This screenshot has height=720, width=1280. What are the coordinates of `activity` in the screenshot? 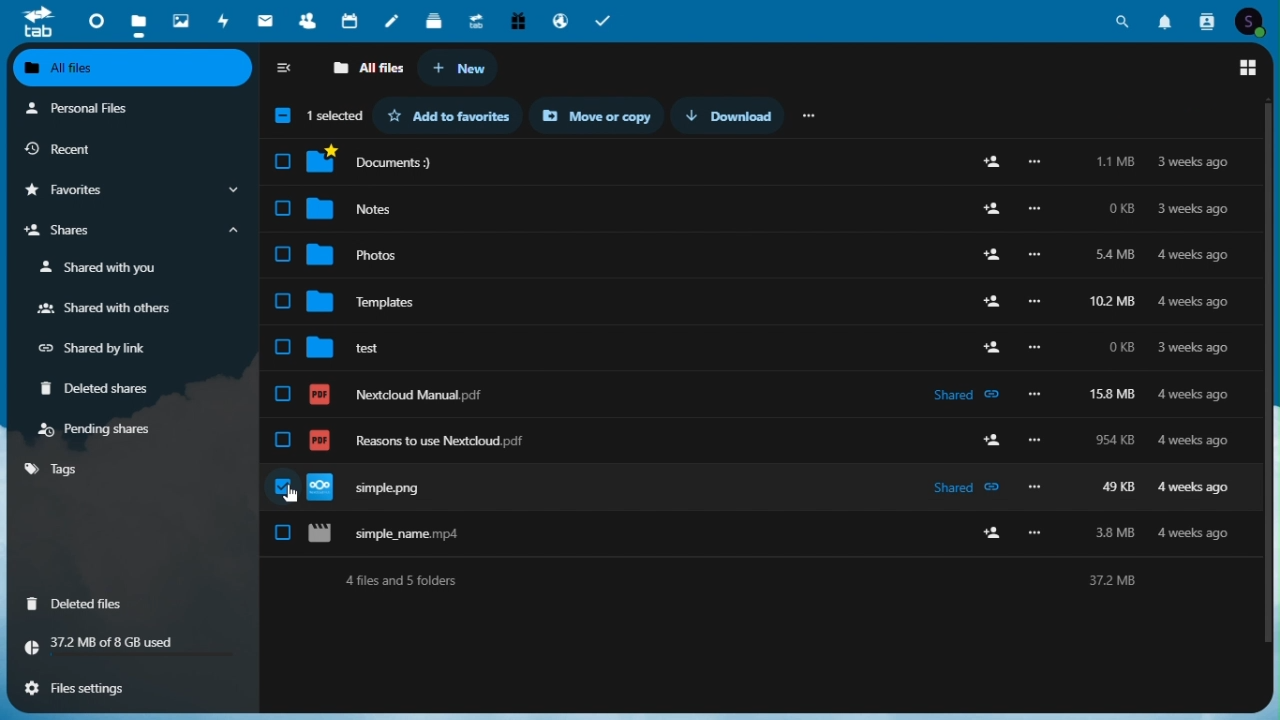 It's located at (227, 20).